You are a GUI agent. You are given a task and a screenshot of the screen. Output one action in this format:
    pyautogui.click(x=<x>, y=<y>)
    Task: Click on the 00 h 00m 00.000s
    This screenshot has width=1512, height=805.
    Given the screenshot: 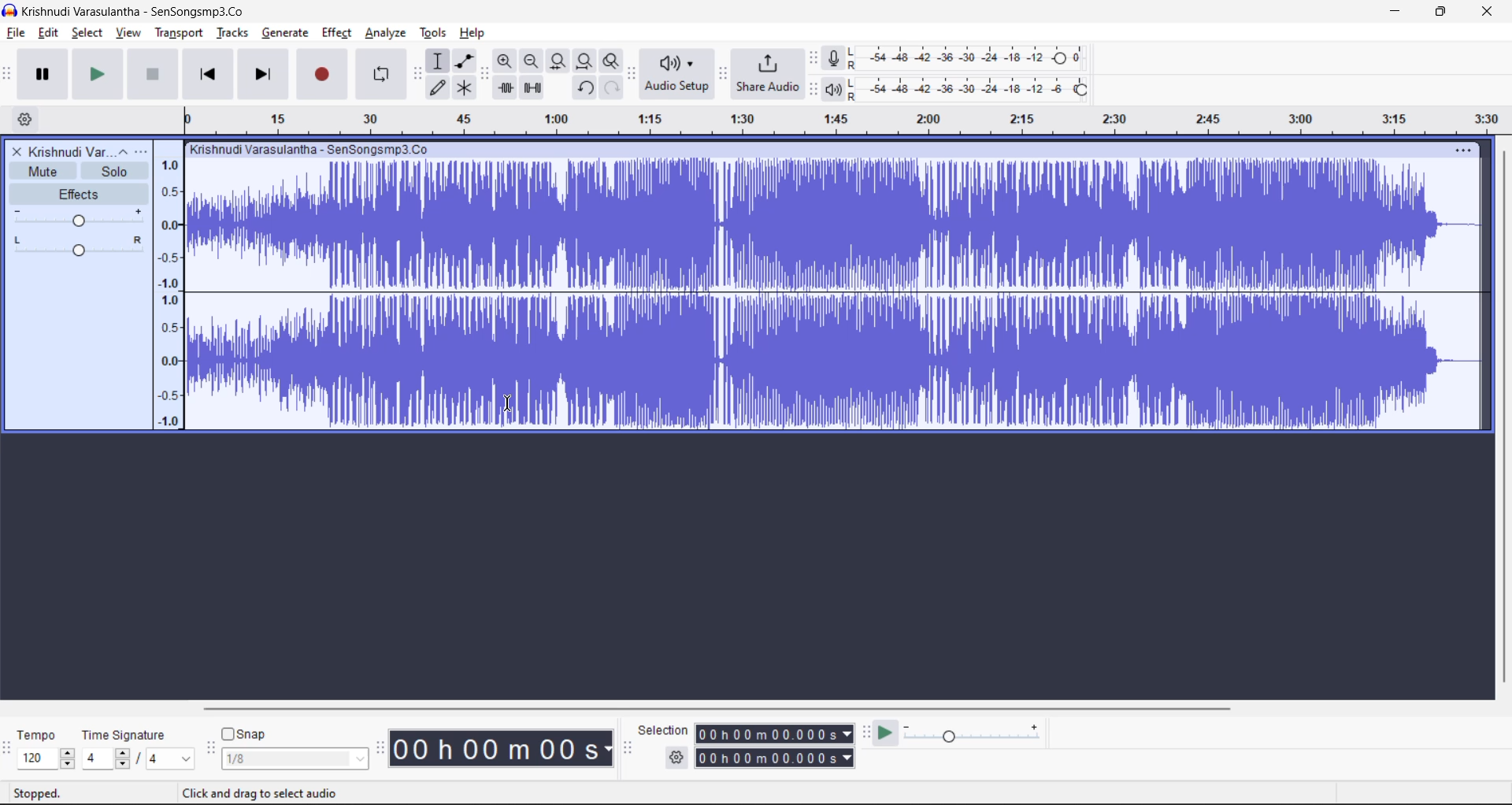 What is the action you would take?
    pyautogui.click(x=774, y=734)
    